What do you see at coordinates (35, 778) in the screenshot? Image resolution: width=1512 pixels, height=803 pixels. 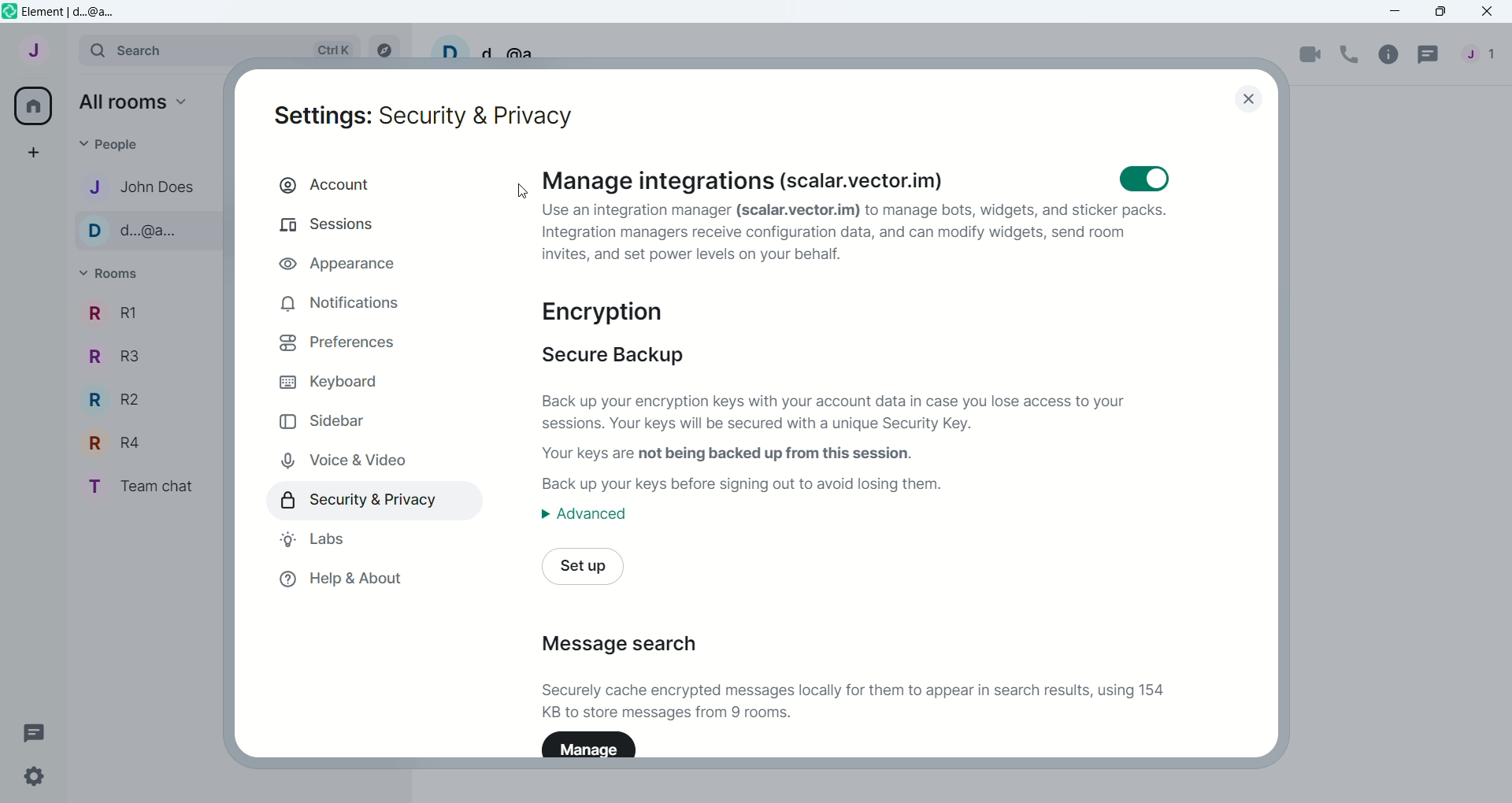 I see `settings` at bounding box center [35, 778].